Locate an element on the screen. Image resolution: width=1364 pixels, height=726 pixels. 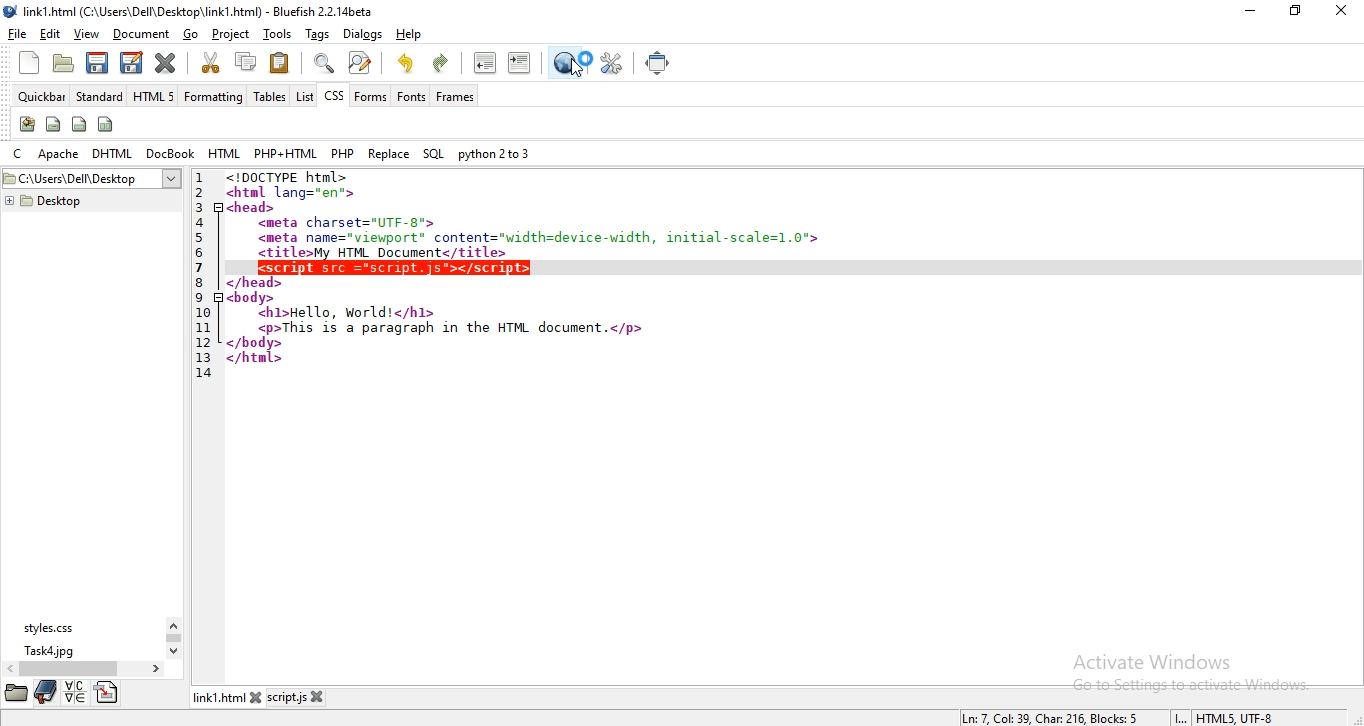
tags is located at coordinates (317, 34).